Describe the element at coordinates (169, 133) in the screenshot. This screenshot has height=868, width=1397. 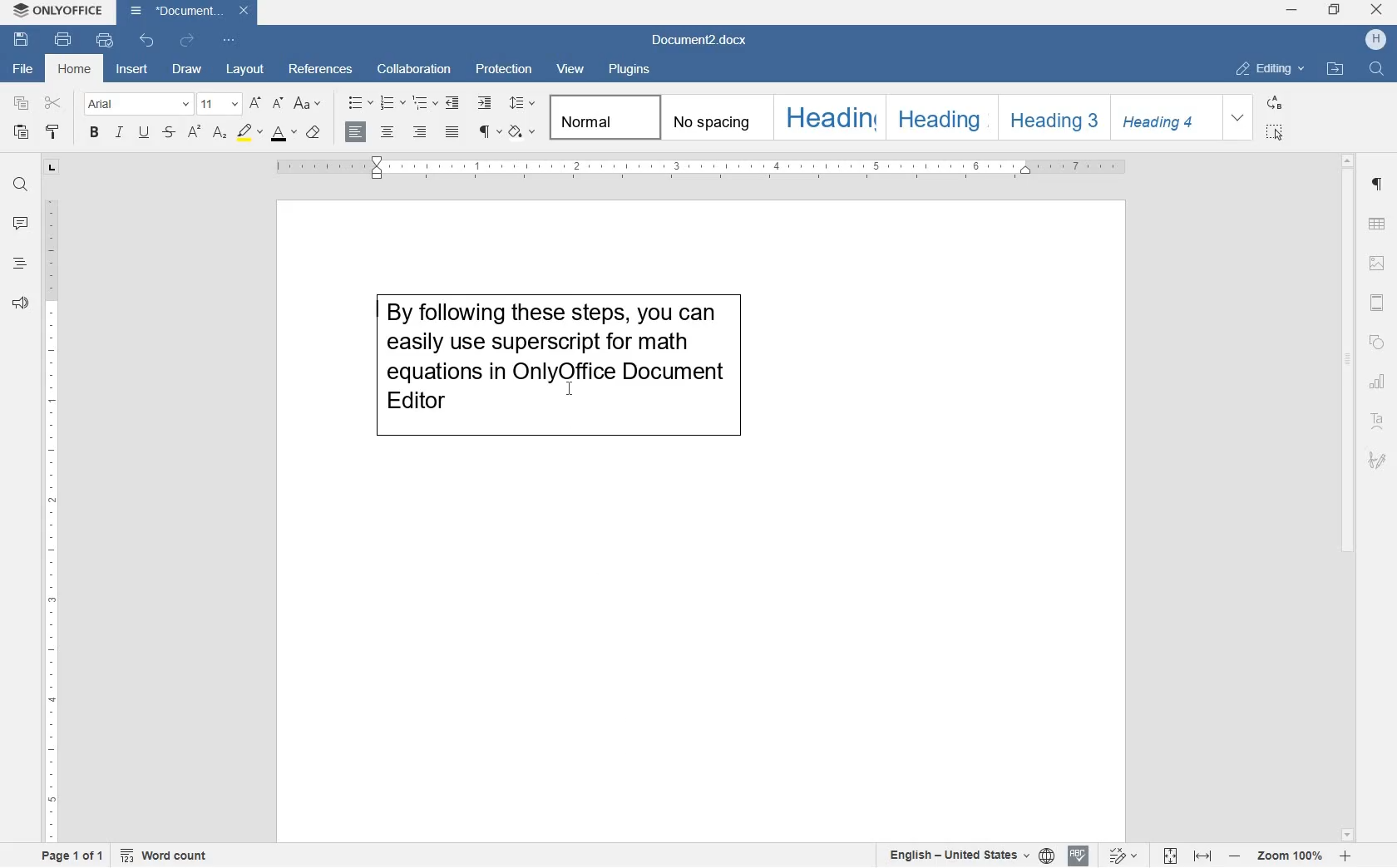
I see `strikethrough` at that location.